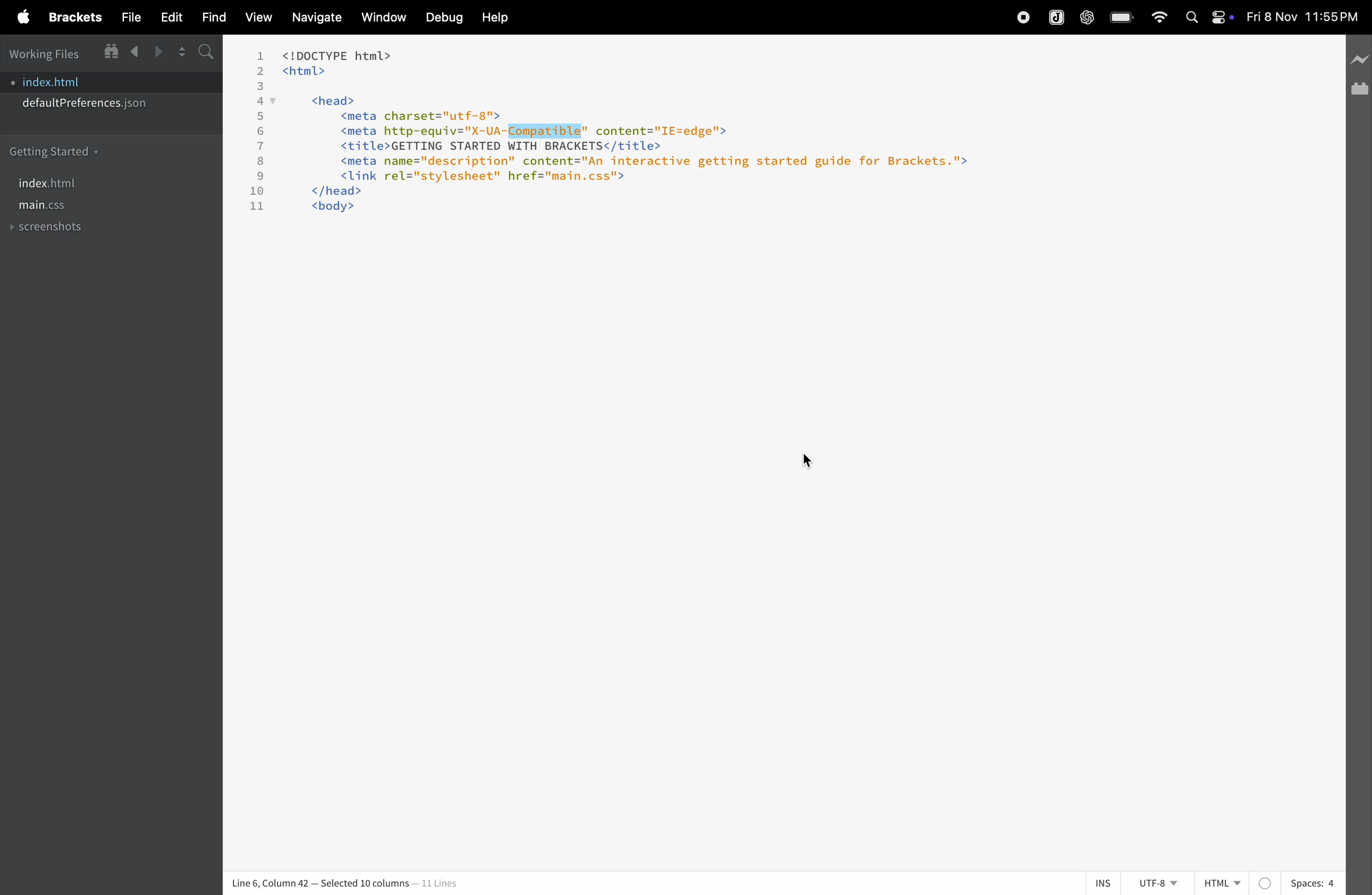 The width and height of the screenshot is (1372, 895). What do you see at coordinates (1299, 17) in the screenshot?
I see `Fri 8 Nov 11:55 PM` at bounding box center [1299, 17].